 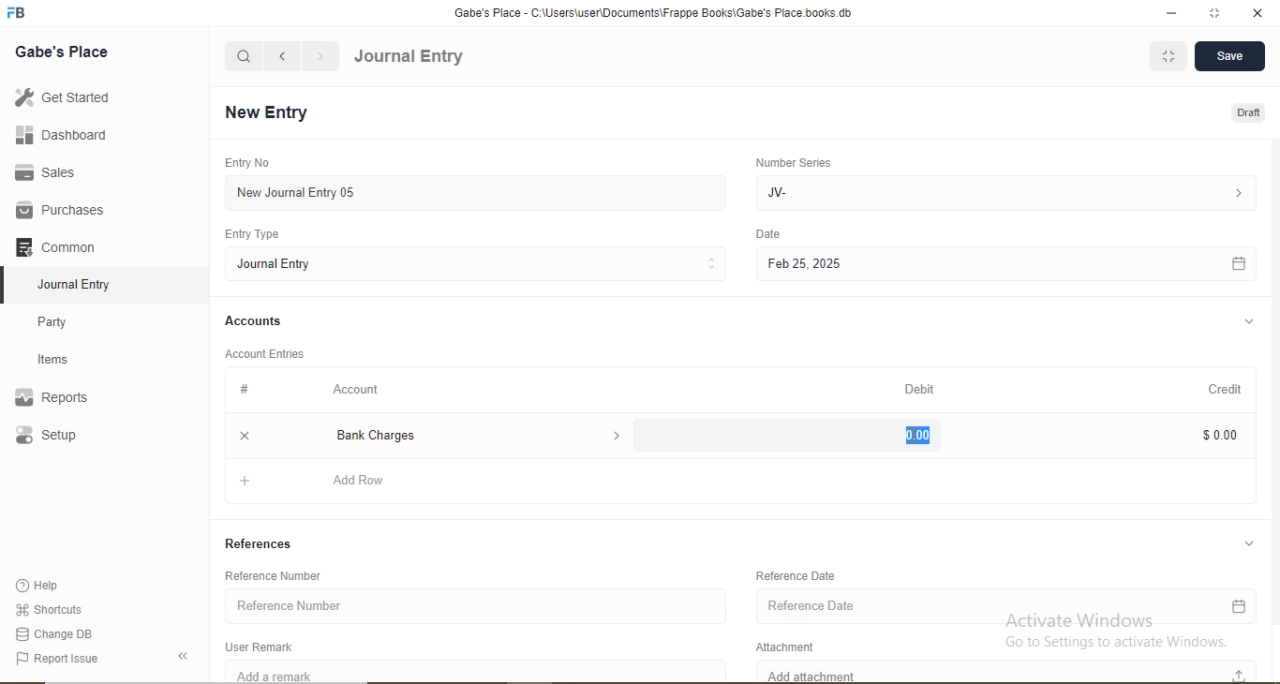 What do you see at coordinates (478, 192) in the screenshot?
I see `New Journal Entry 05` at bounding box center [478, 192].